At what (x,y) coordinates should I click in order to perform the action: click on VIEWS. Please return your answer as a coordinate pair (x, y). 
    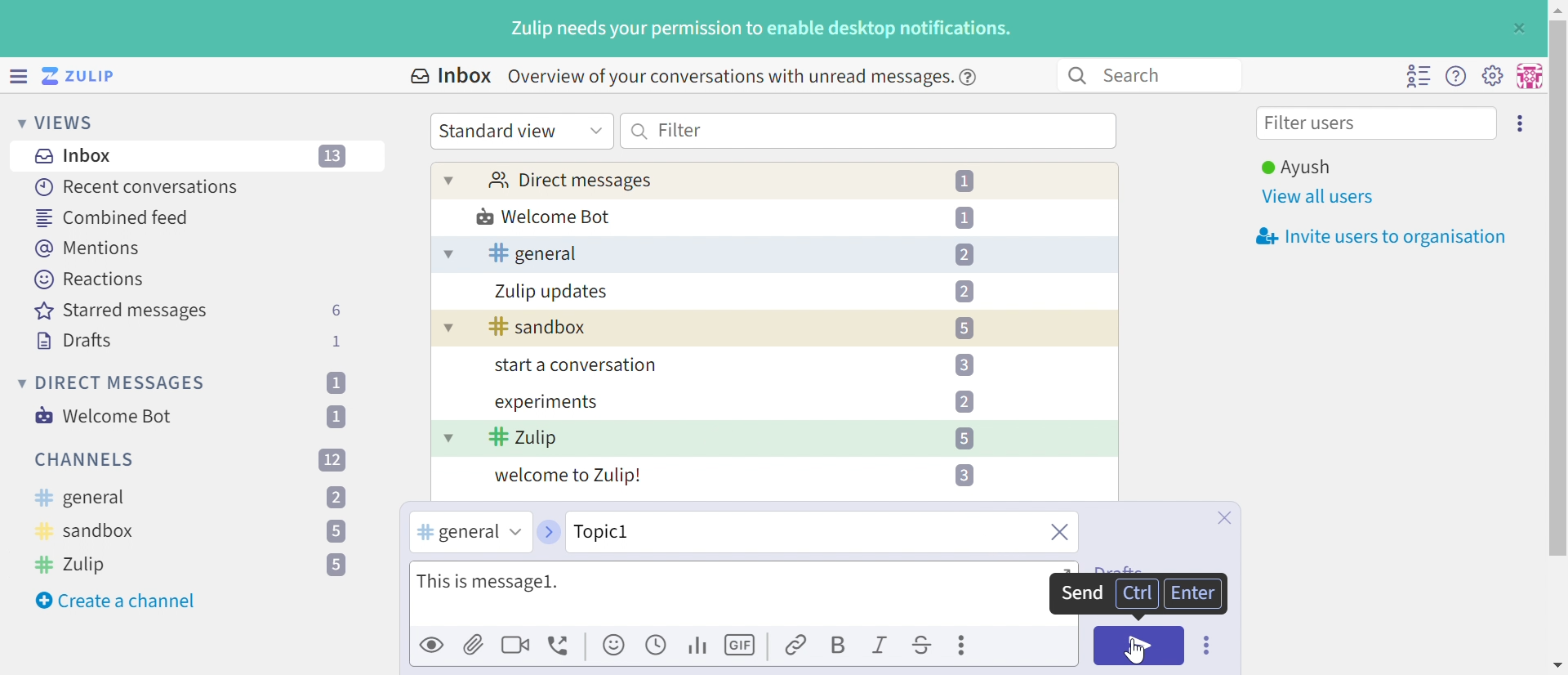
    Looking at the image, I should click on (69, 122).